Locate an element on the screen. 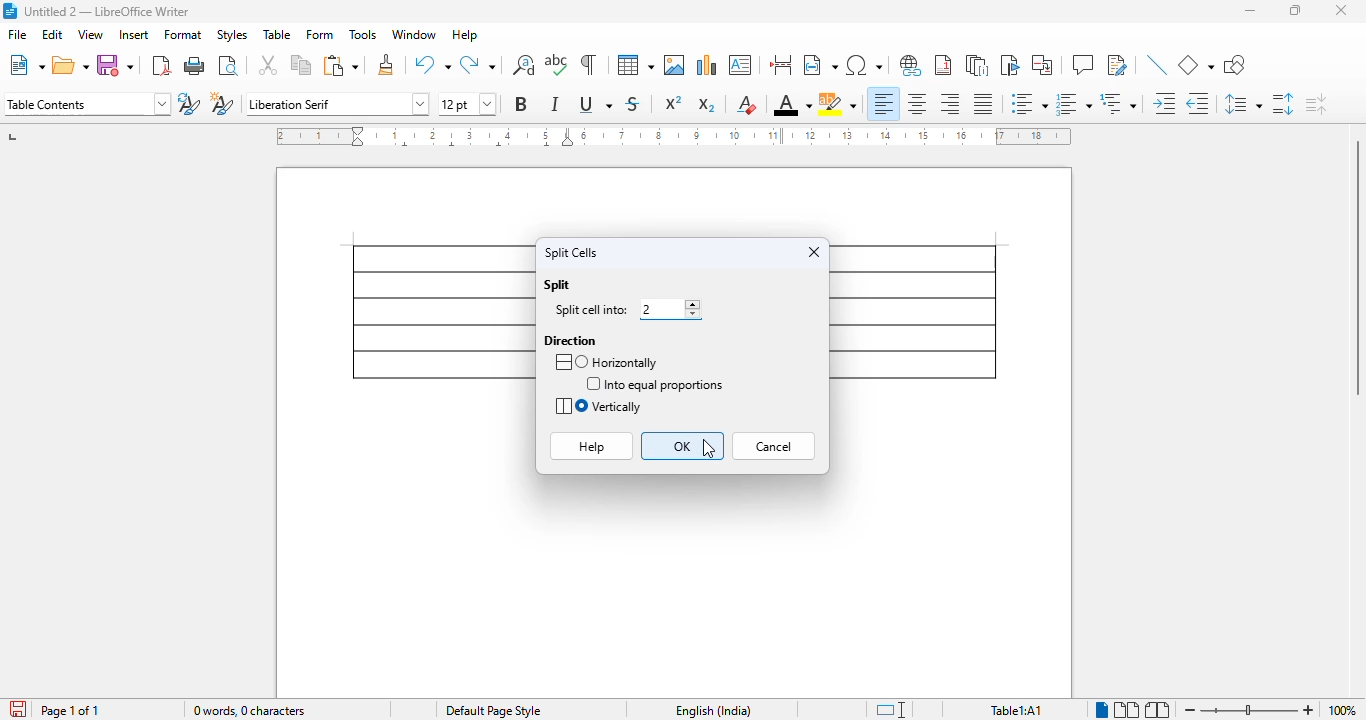  single-page view is located at coordinates (1103, 710).